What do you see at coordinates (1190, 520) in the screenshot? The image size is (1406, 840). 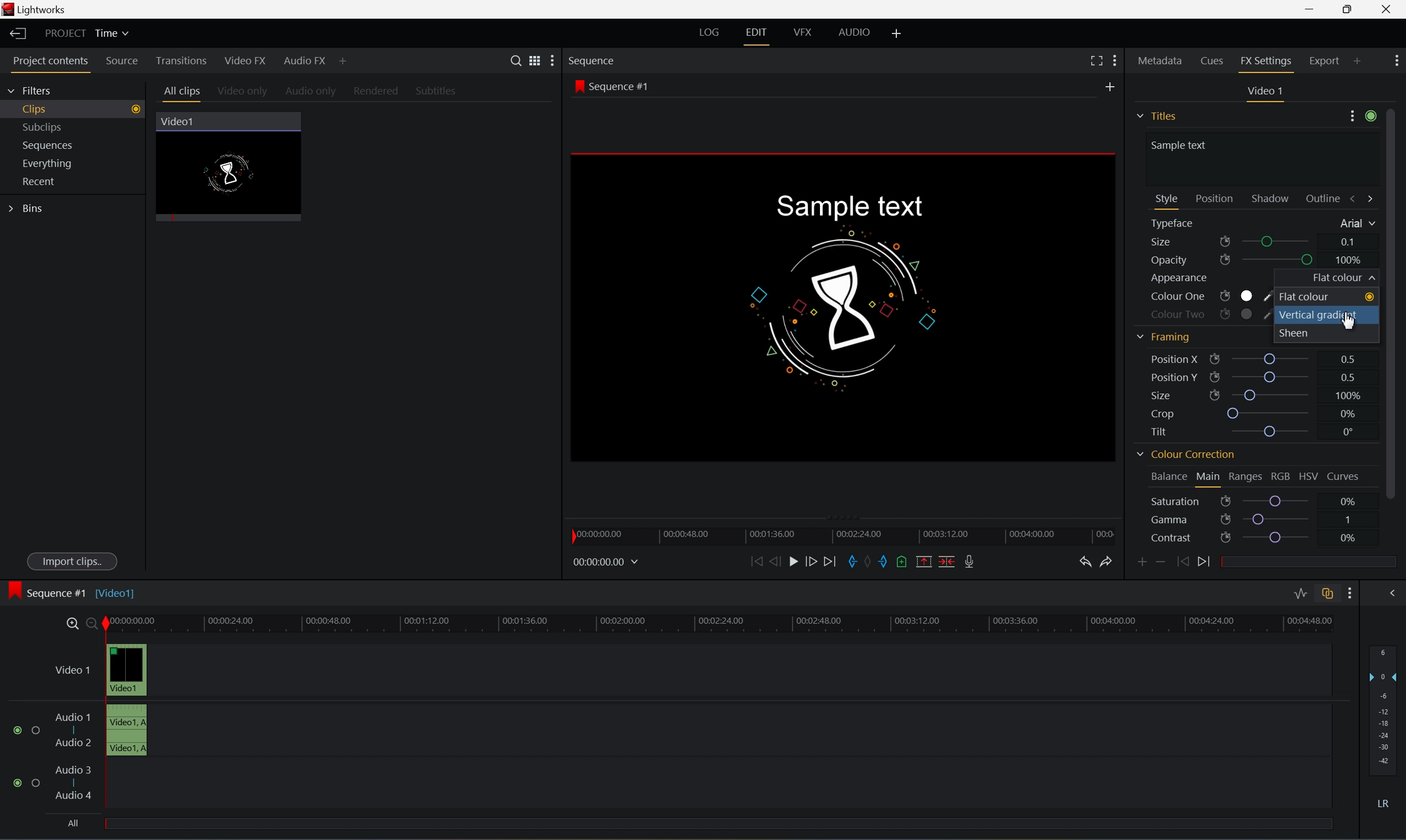 I see `gamma` at bounding box center [1190, 520].